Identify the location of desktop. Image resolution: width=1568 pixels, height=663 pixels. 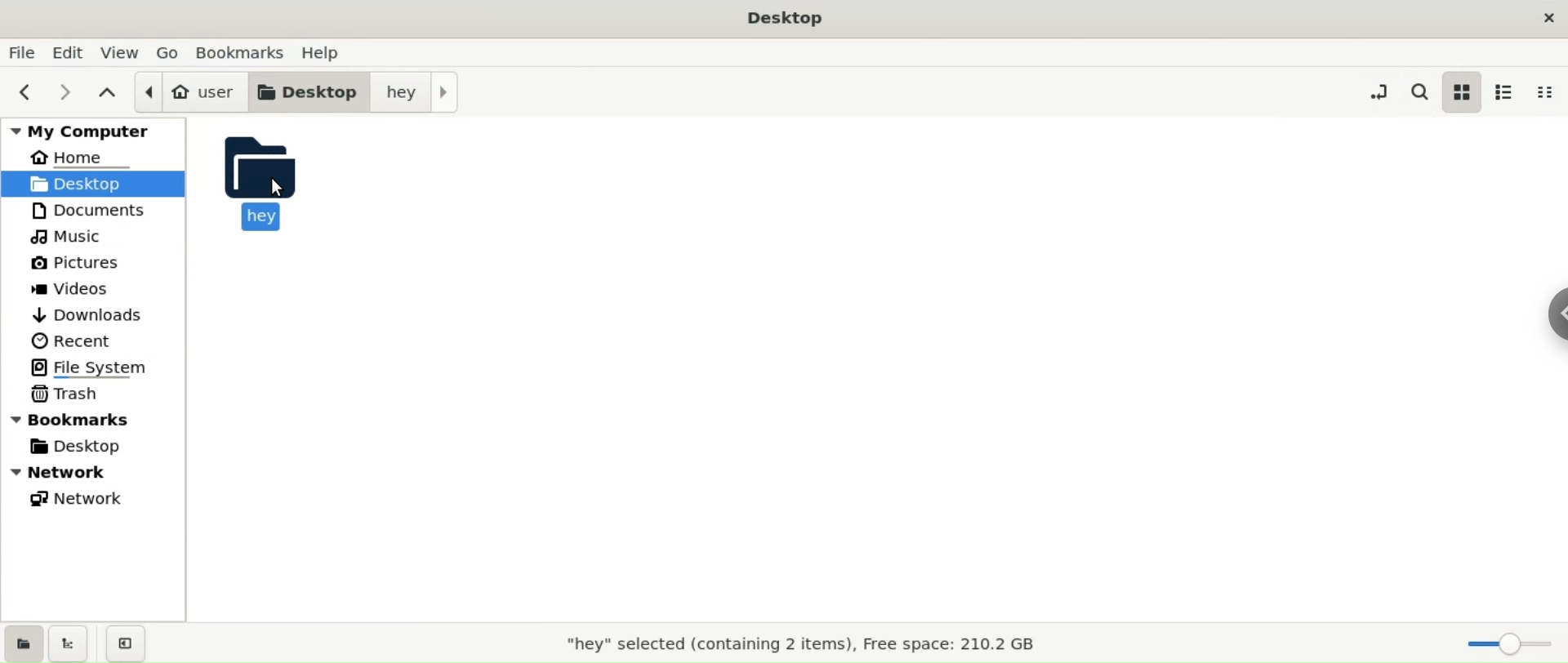
(80, 447).